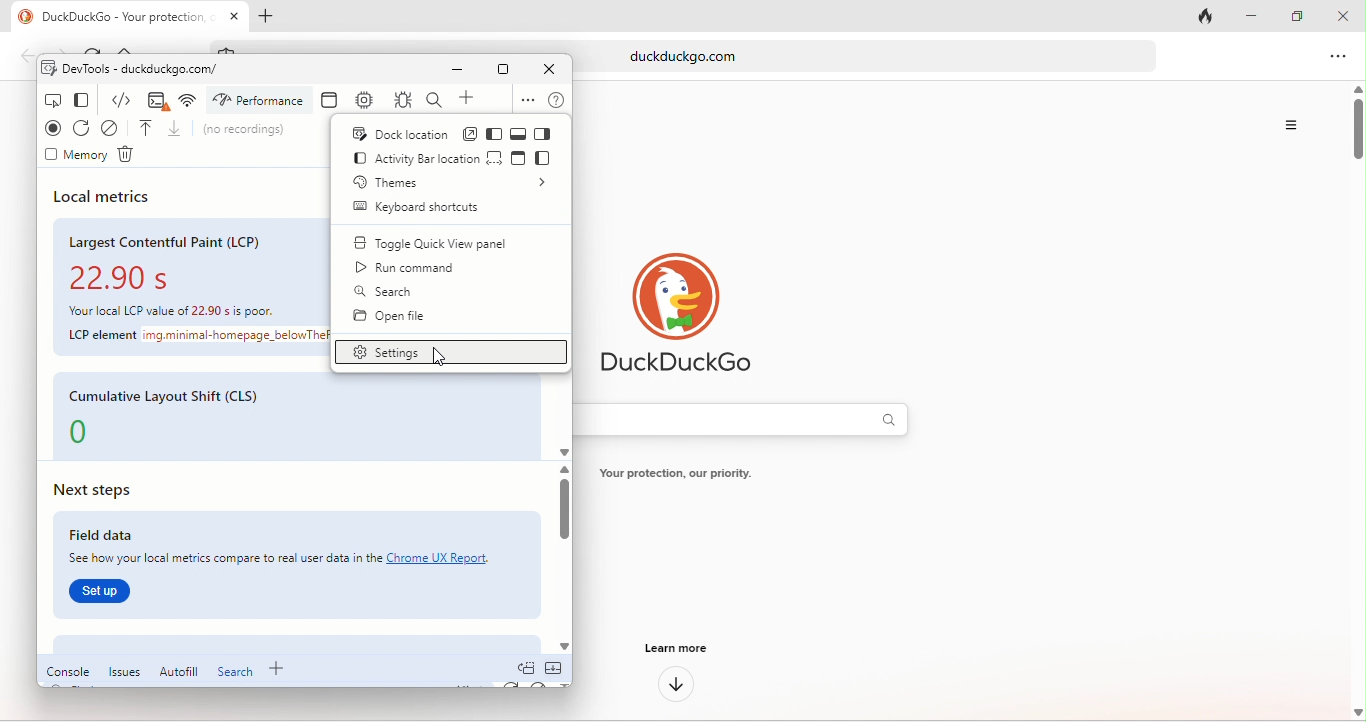 This screenshot has width=1366, height=722. I want to click on cumulative layout shift, so click(182, 392).